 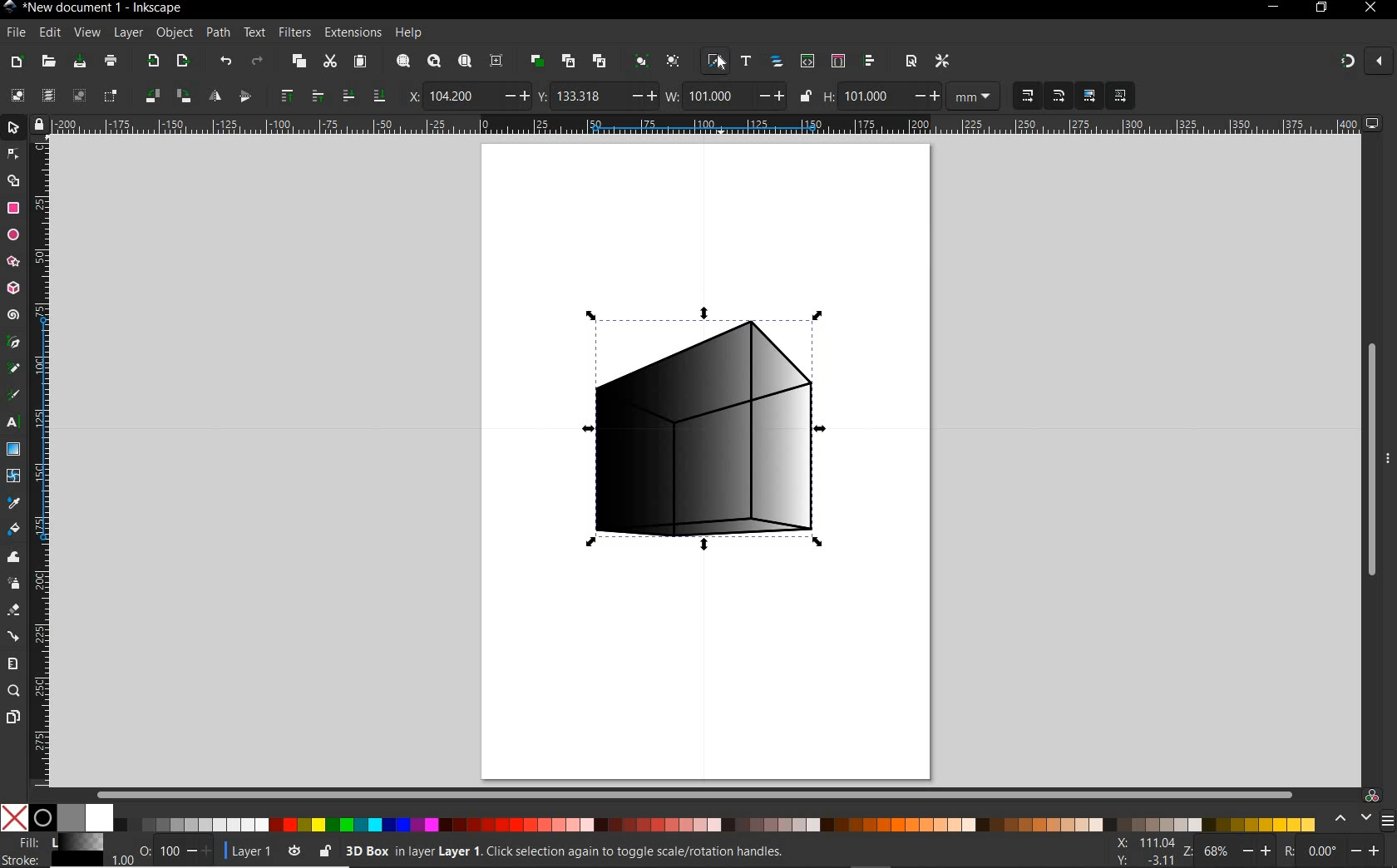 What do you see at coordinates (16, 584) in the screenshot?
I see `SPRAY TOOL` at bounding box center [16, 584].